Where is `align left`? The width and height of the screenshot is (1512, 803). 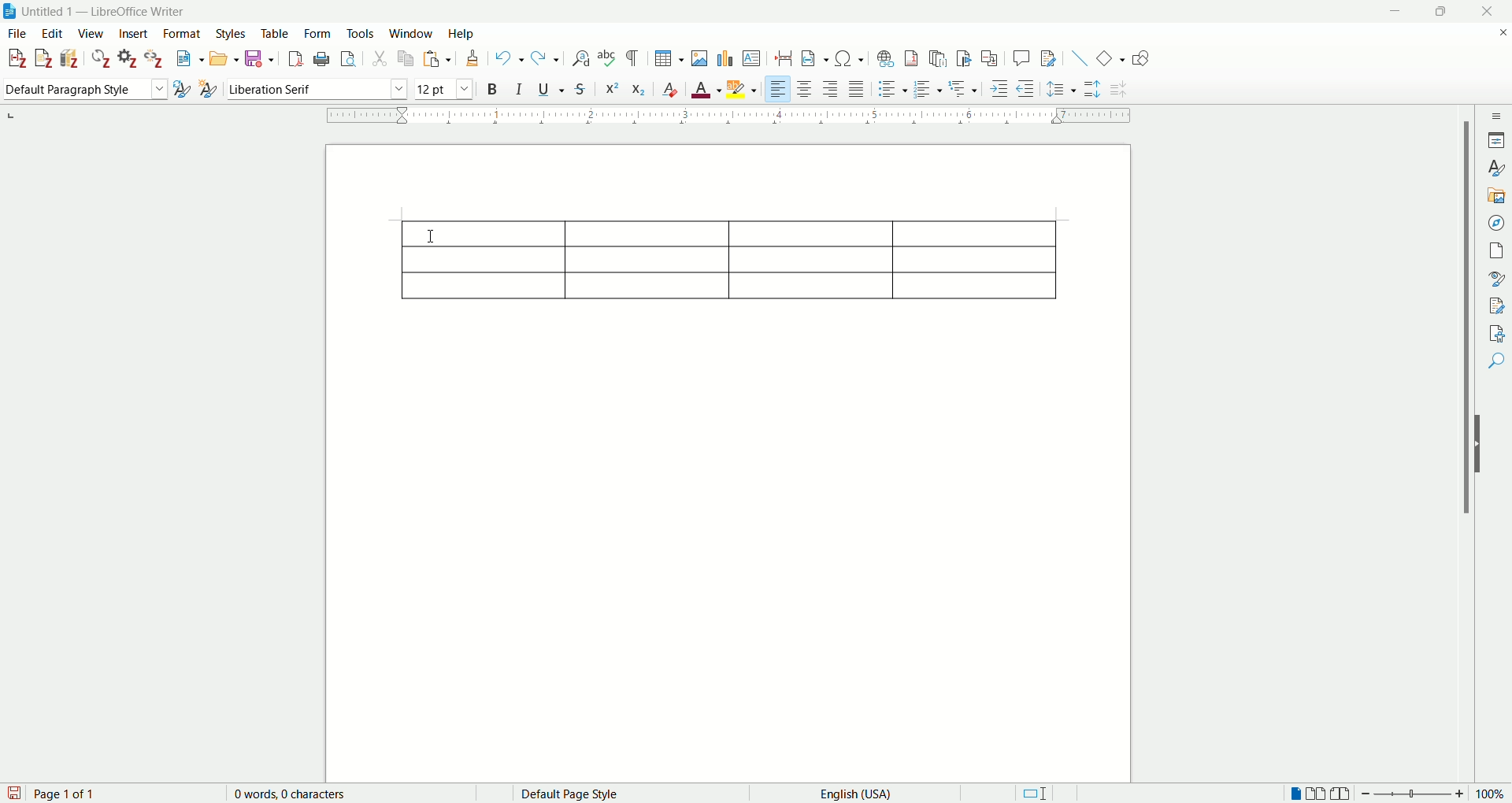 align left is located at coordinates (776, 88).